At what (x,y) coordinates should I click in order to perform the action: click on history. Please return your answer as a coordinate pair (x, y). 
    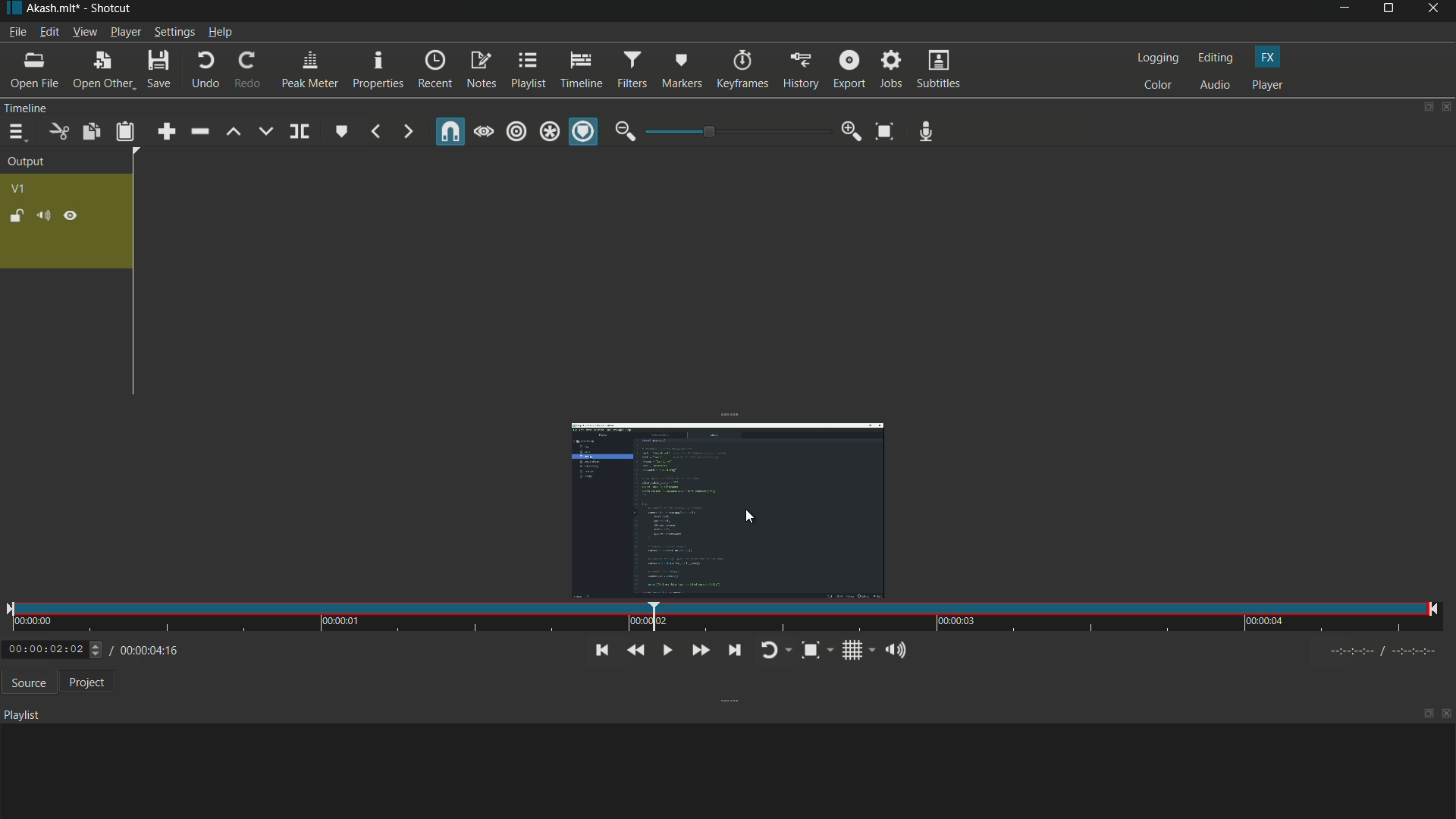
    Looking at the image, I should click on (800, 71).